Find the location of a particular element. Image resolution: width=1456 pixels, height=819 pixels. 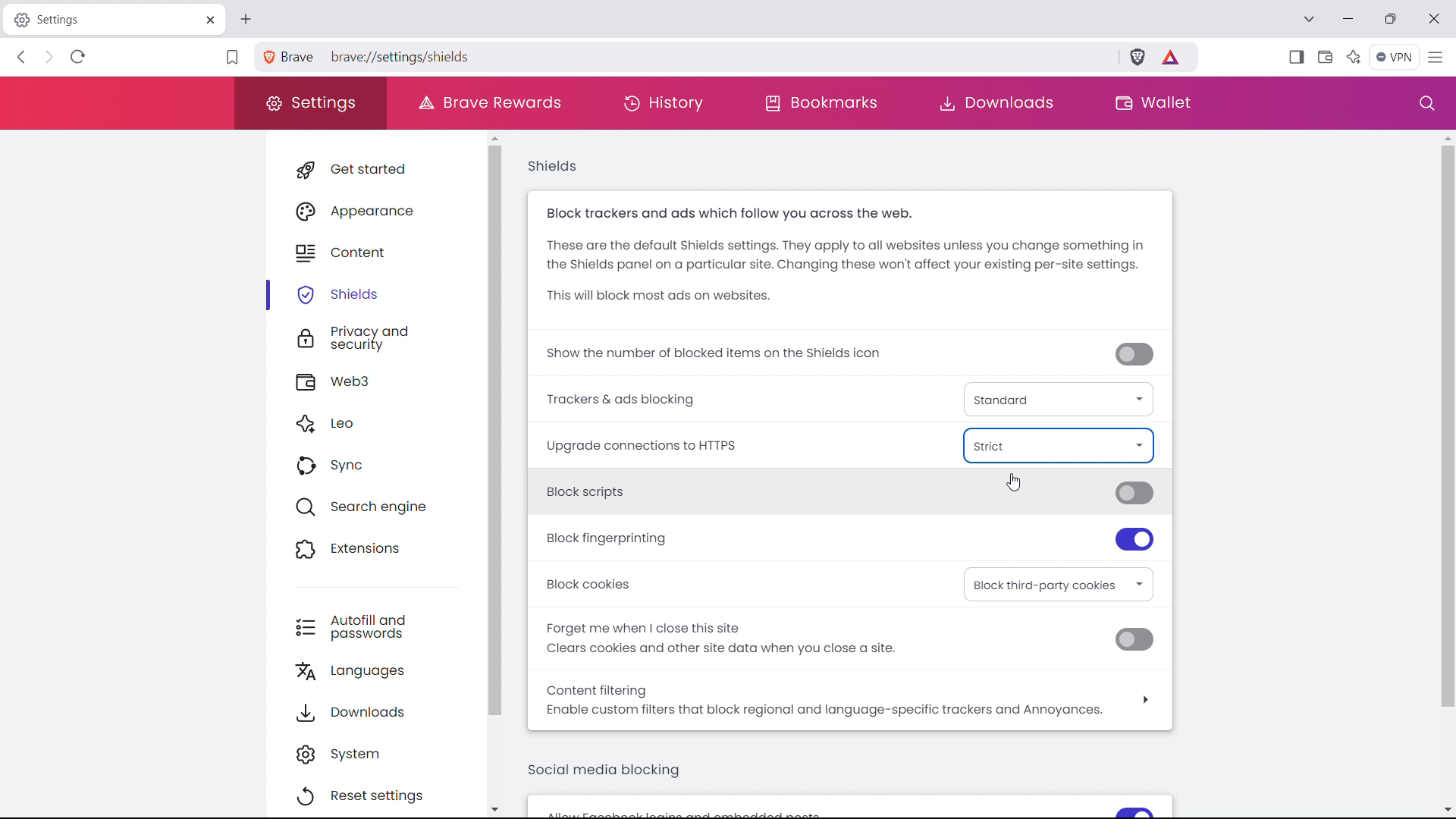

click to go back hold to see history  is located at coordinates (22, 56).